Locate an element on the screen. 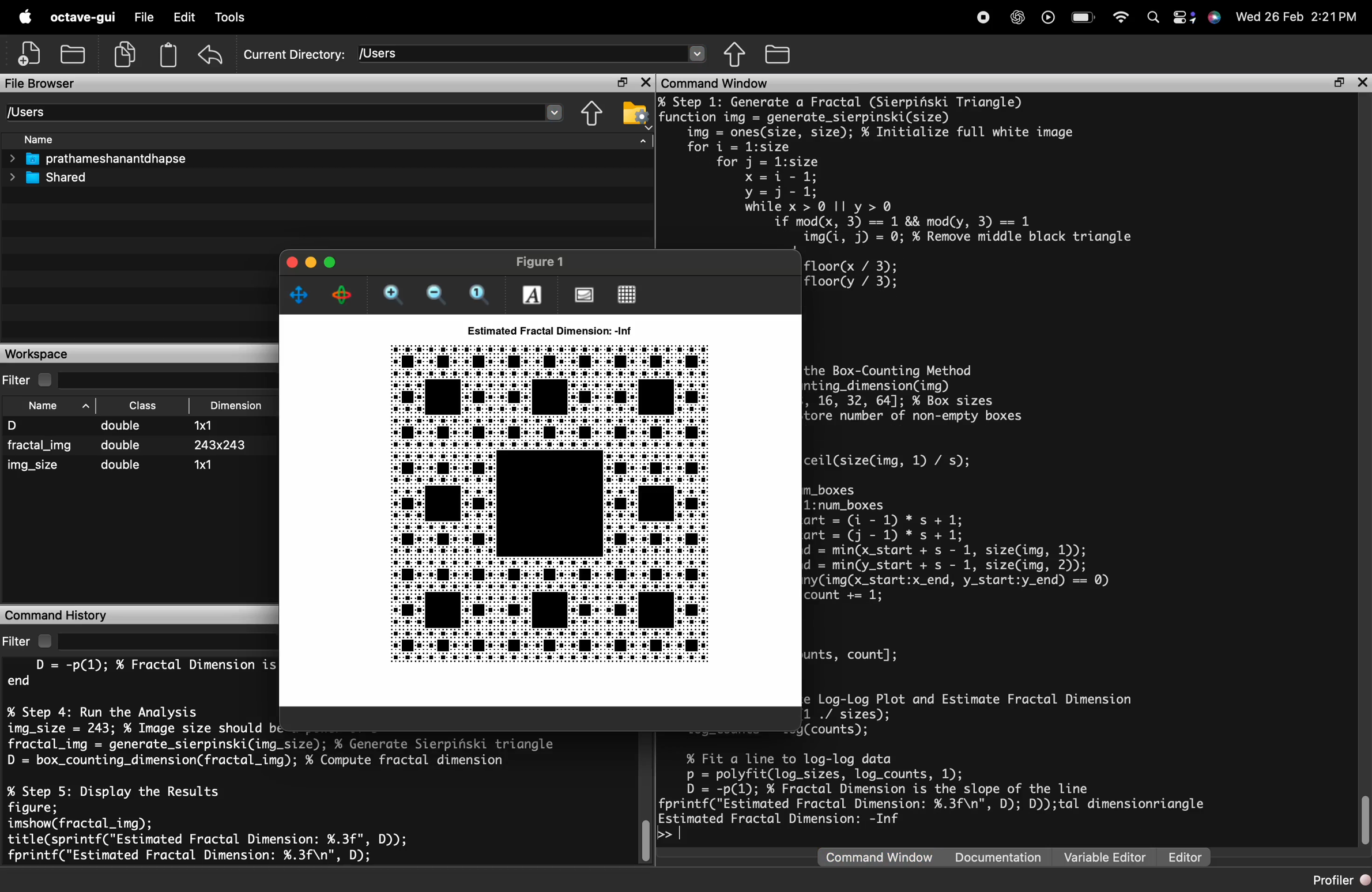 The height and width of the screenshot is (892, 1372). Command Window is located at coordinates (880, 860).